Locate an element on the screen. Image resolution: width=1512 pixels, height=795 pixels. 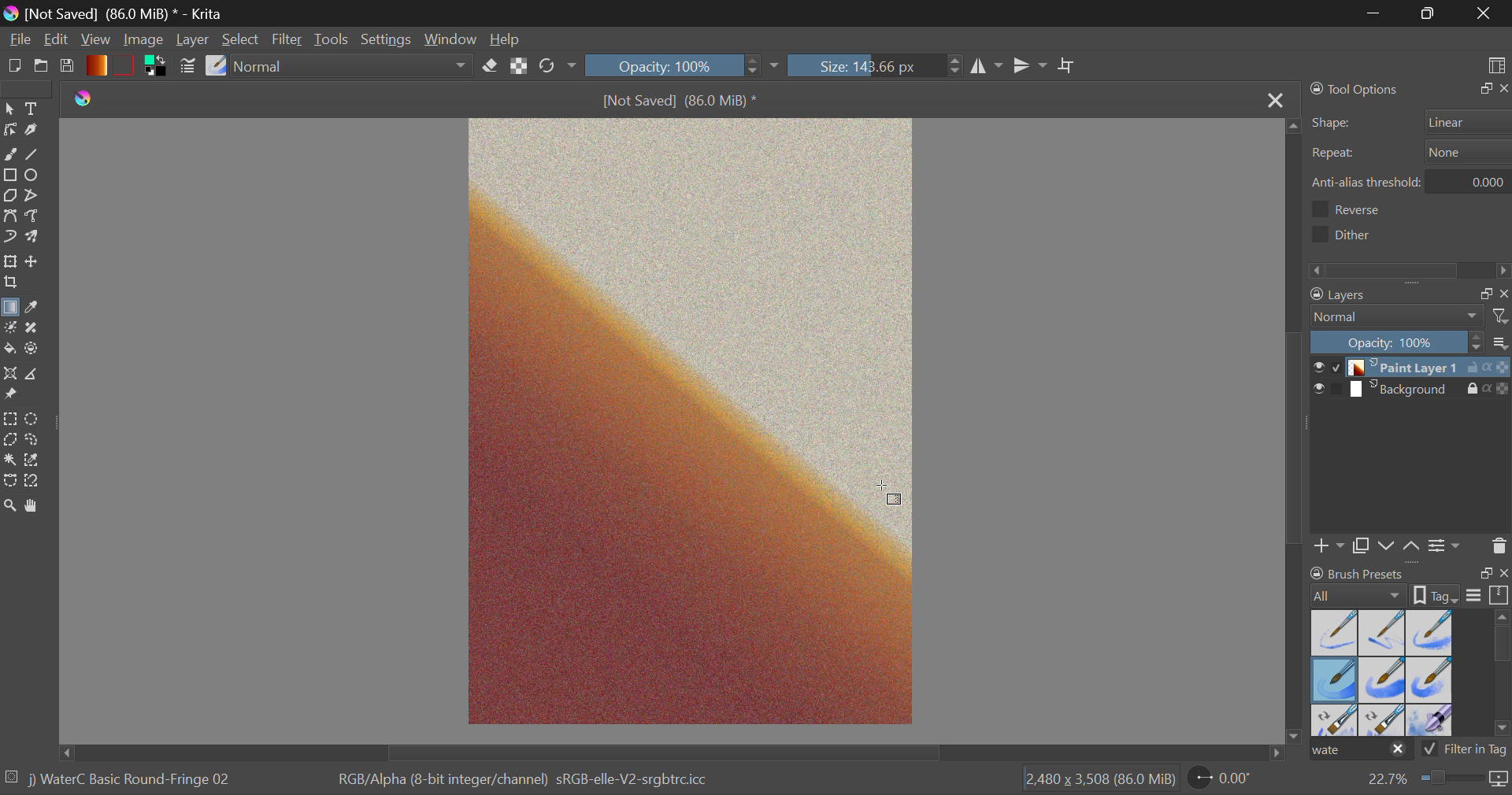
Measurements is located at coordinates (41, 374).